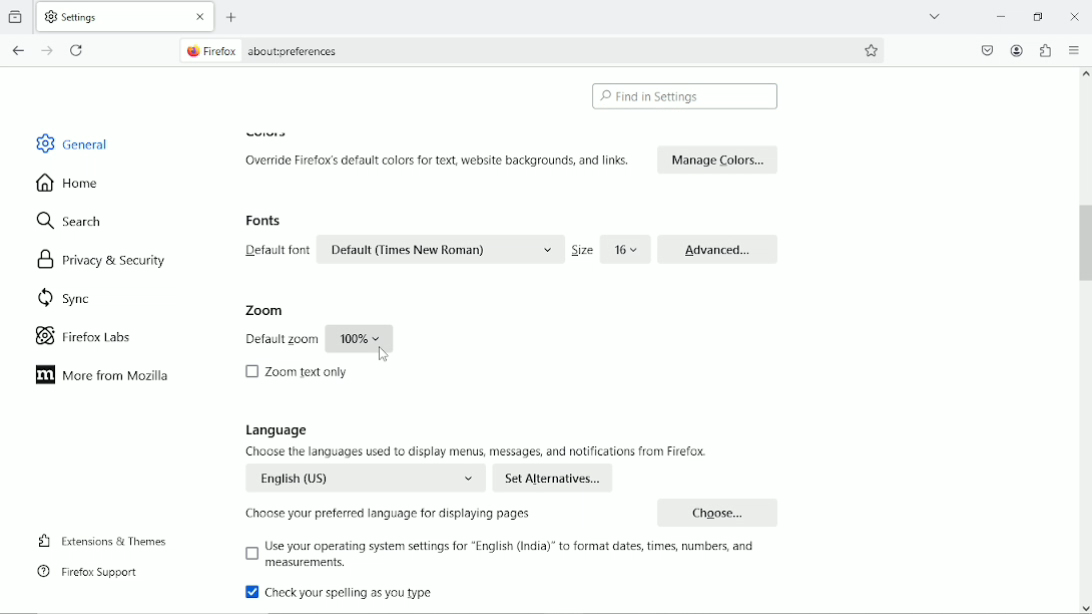 This screenshot has width=1092, height=614. I want to click on More from Mozilla, so click(103, 375).